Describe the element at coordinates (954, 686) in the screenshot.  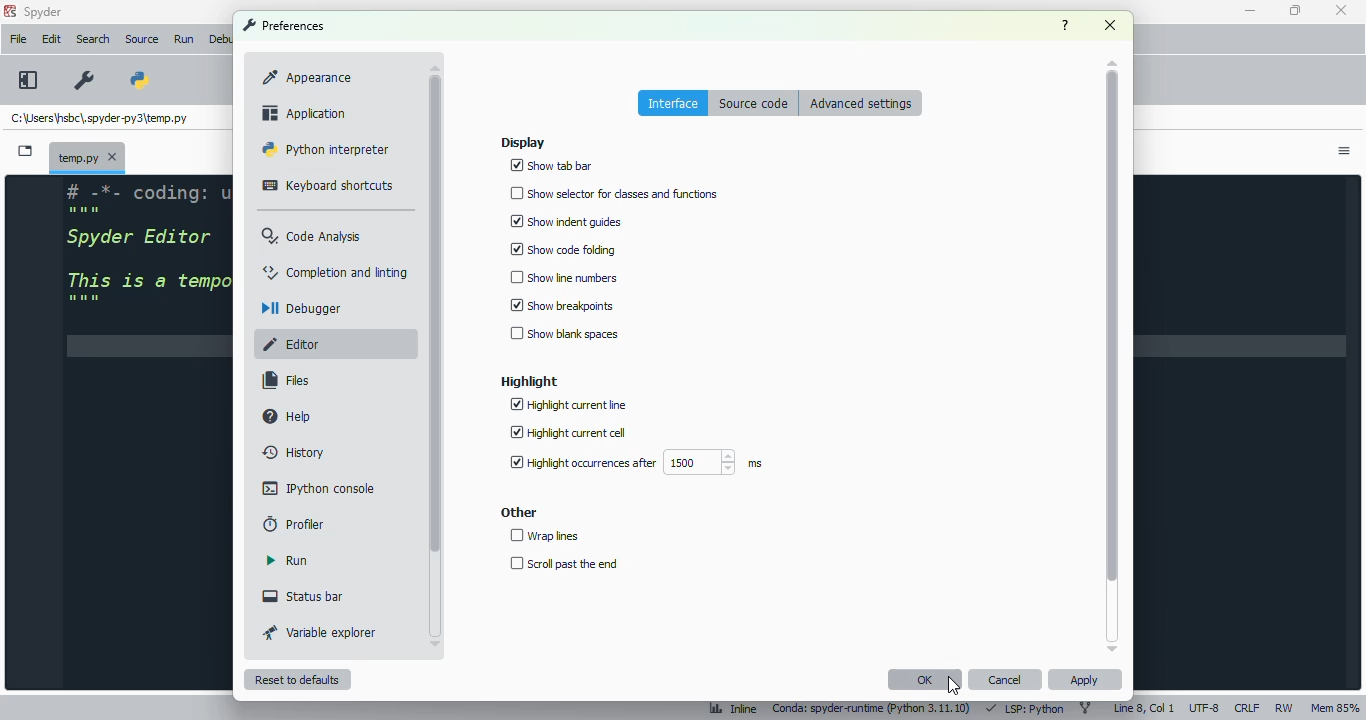
I see `cursor` at that location.